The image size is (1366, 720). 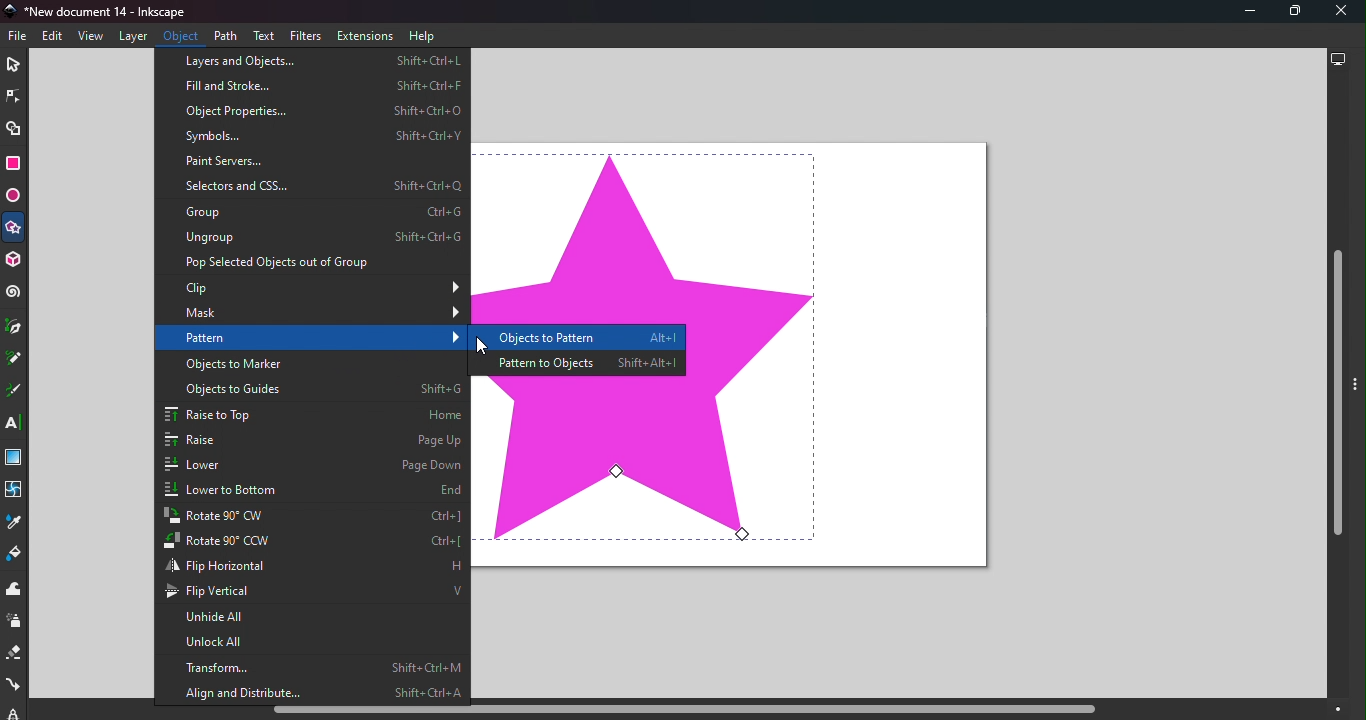 I want to click on Document name, so click(x=104, y=11).